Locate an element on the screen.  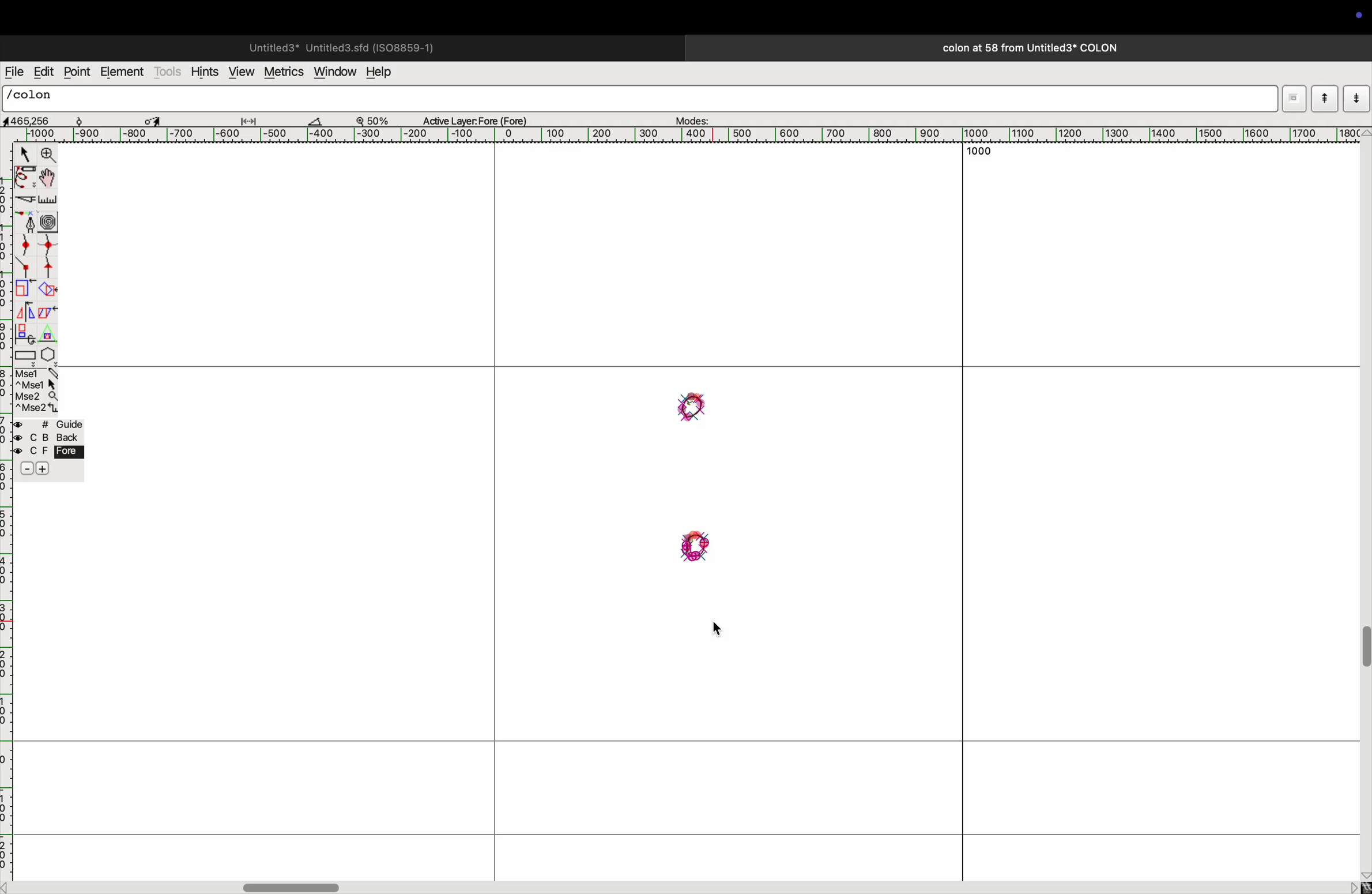
modes is located at coordinates (694, 118).